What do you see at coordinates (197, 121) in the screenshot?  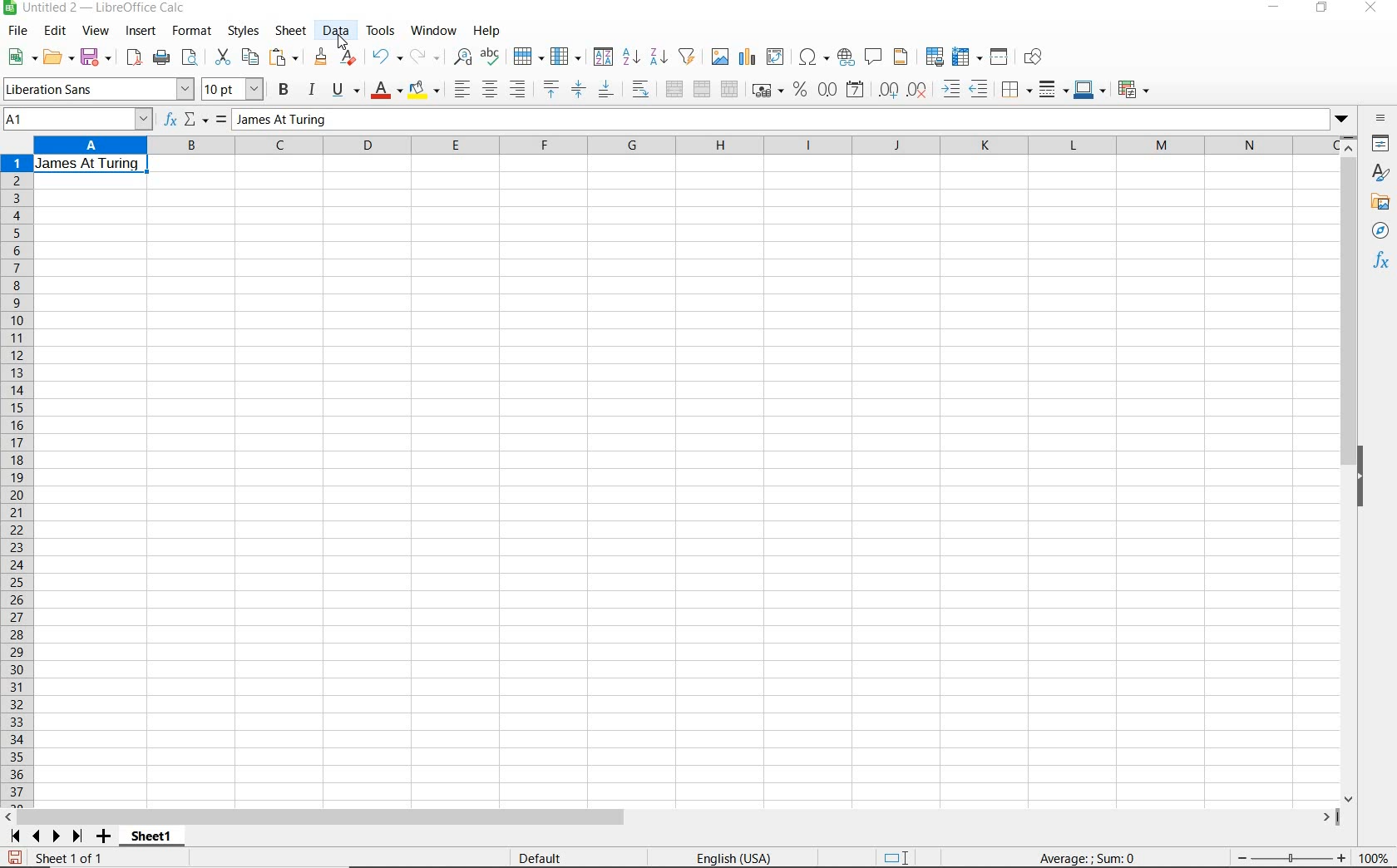 I see `select function` at bounding box center [197, 121].